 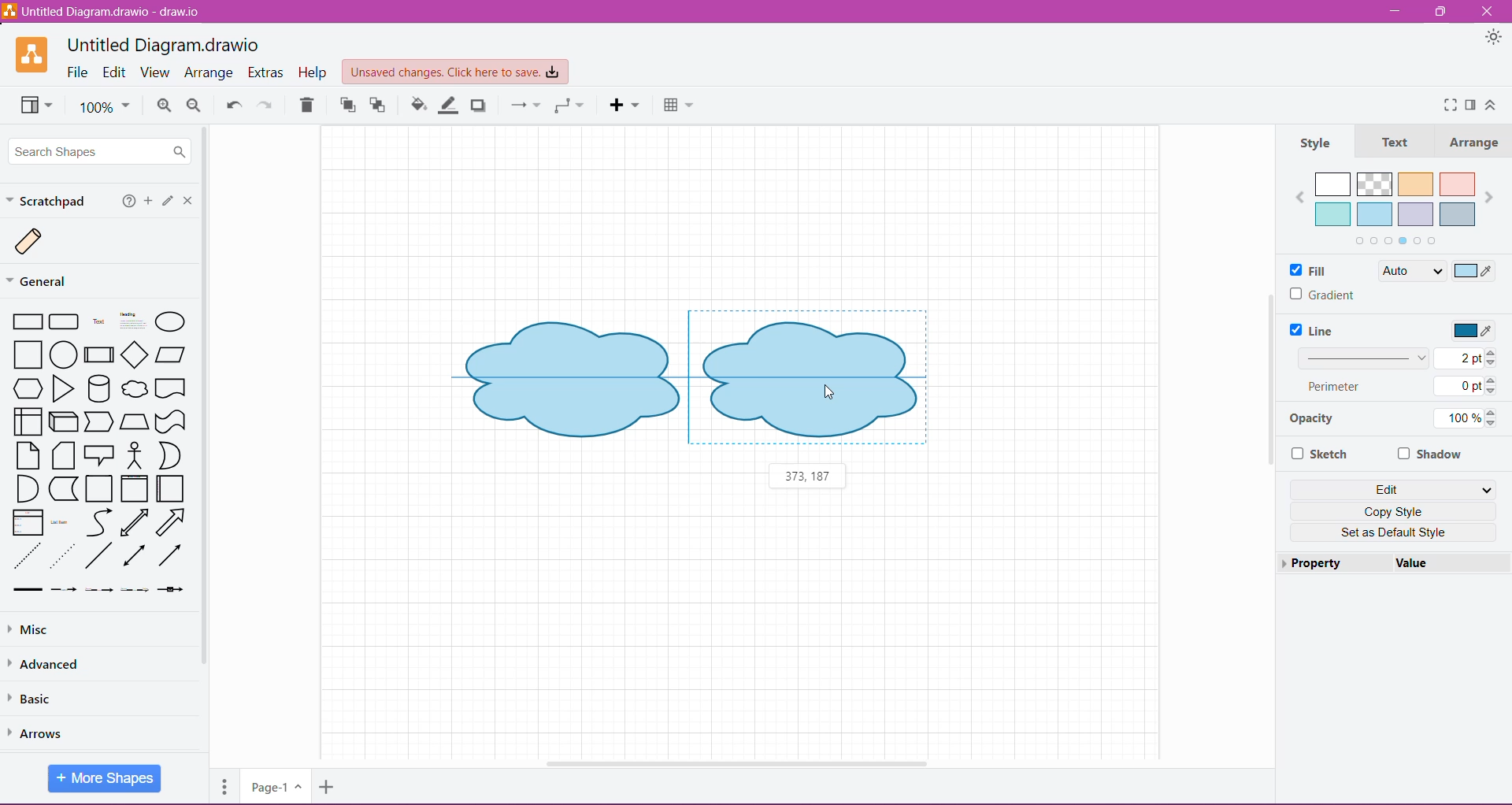 I want to click on Shadow, so click(x=1431, y=454).